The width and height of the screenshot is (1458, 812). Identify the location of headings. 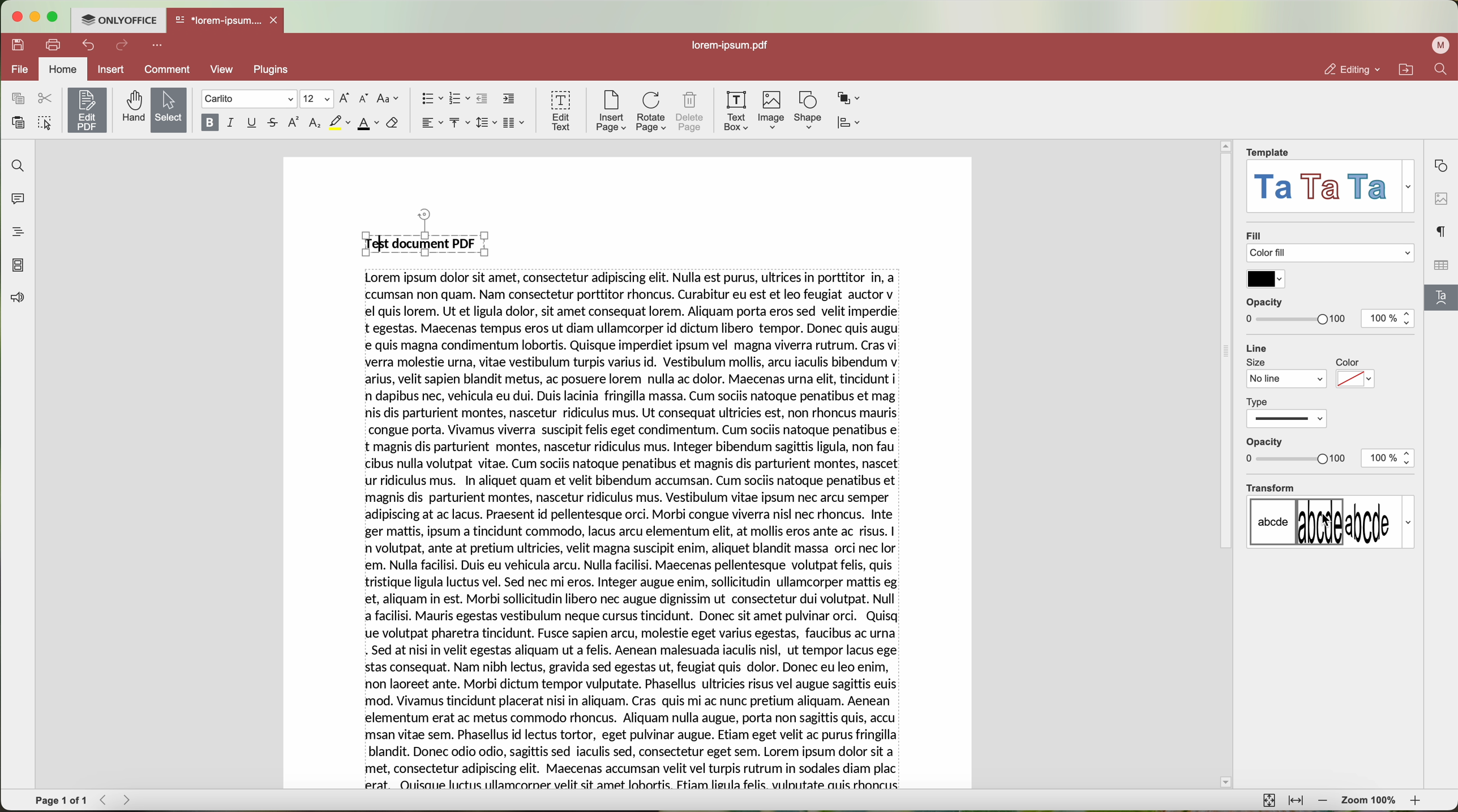
(15, 233).